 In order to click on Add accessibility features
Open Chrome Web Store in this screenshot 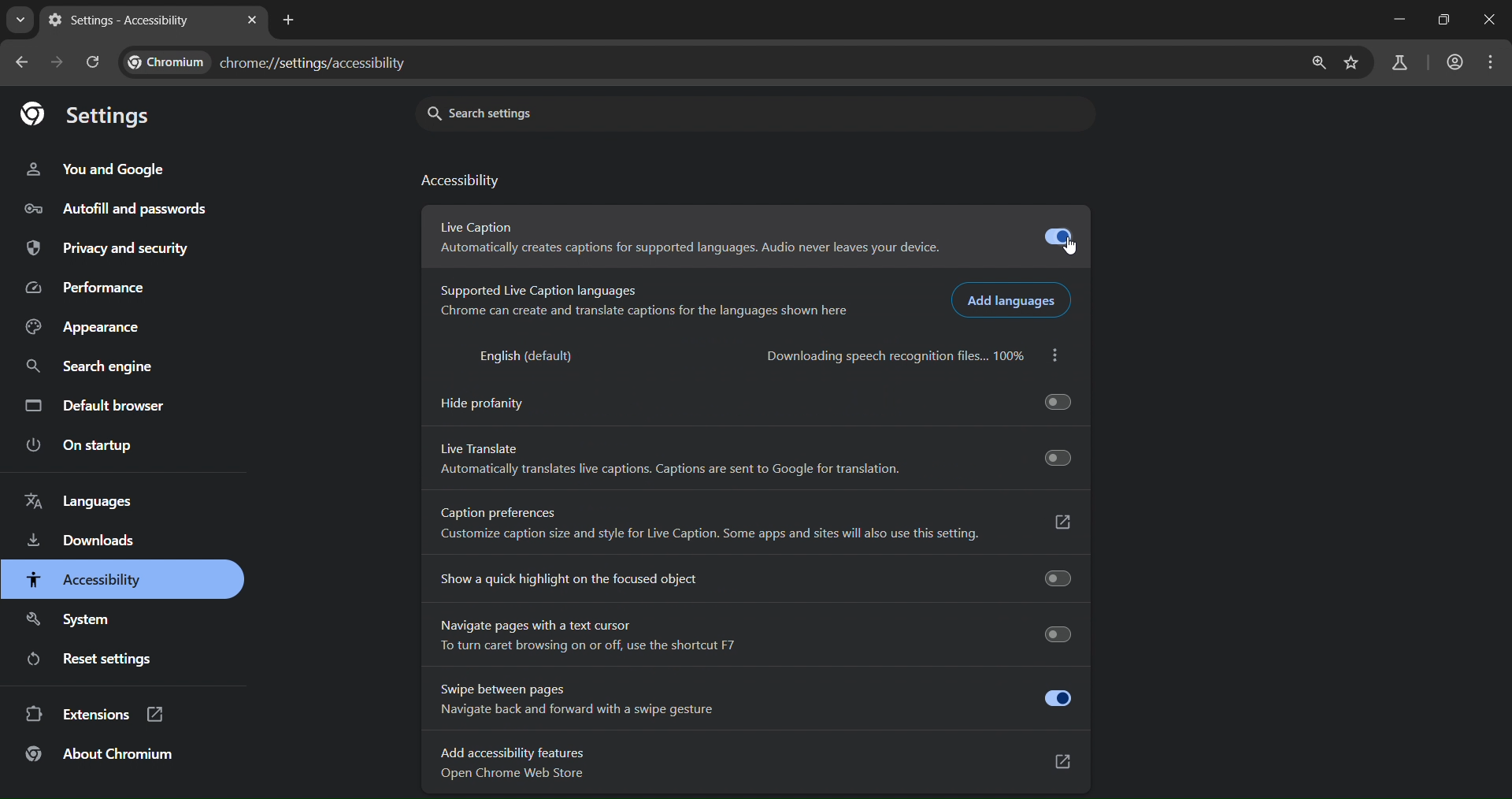, I will do `click(755, 760)`.